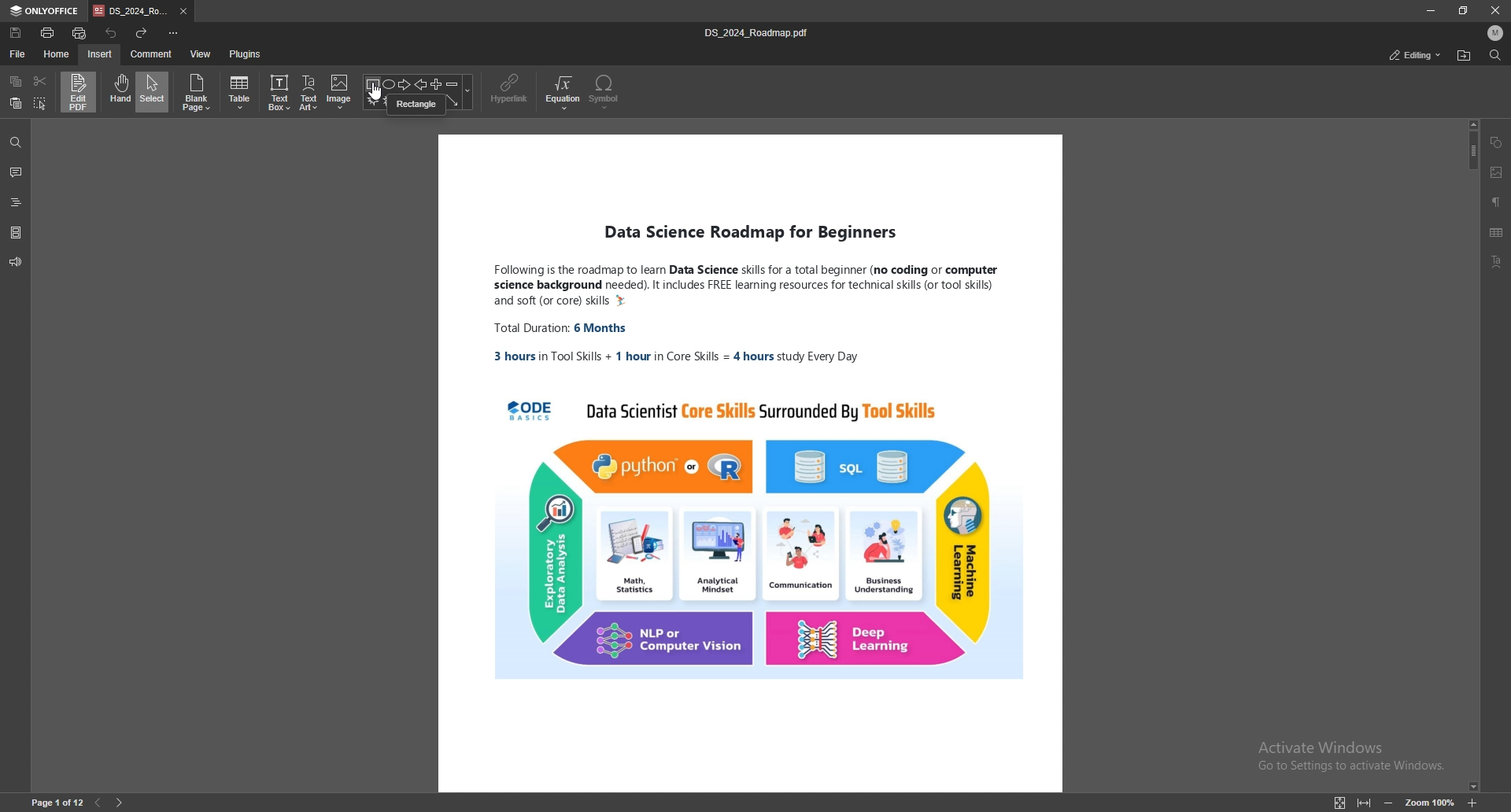 The width and height of the screenshot is (1511, 812). What do you see at coordinates (119, 92) in the screenshot?
I see `hand` at bounding box center [119, 92].